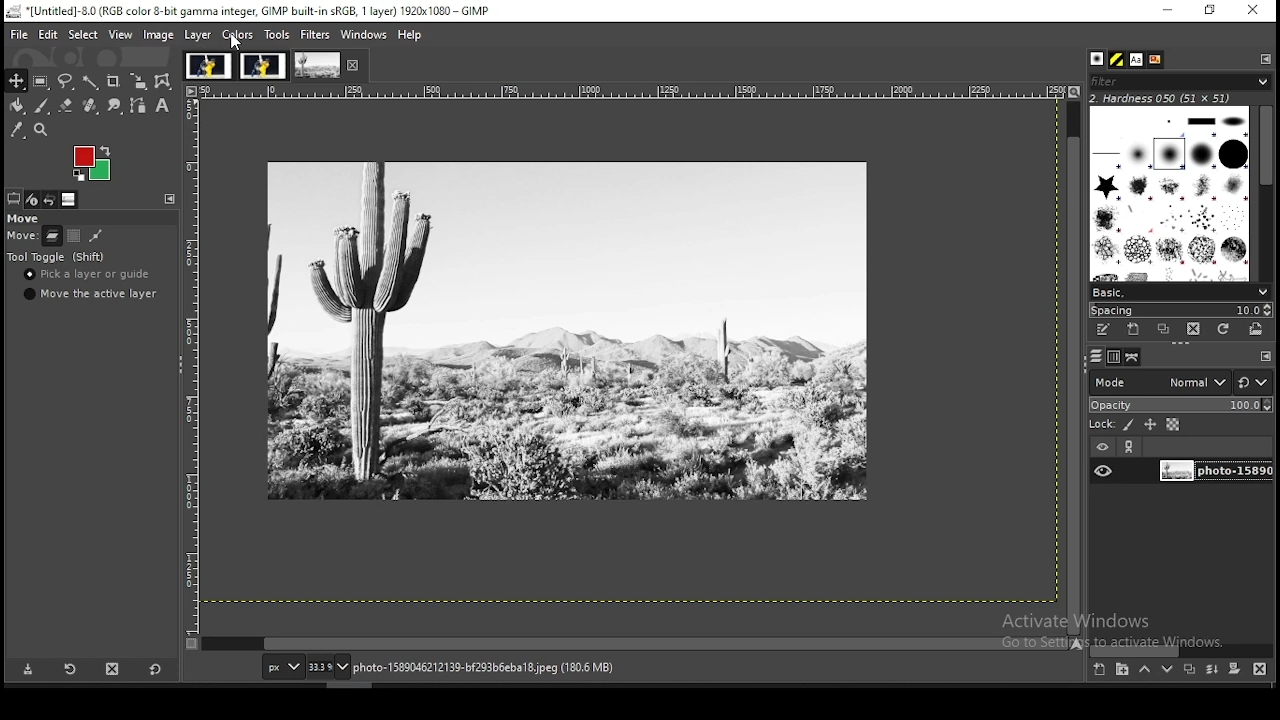  I want to click on duplicate brush, so click(1163, 330).